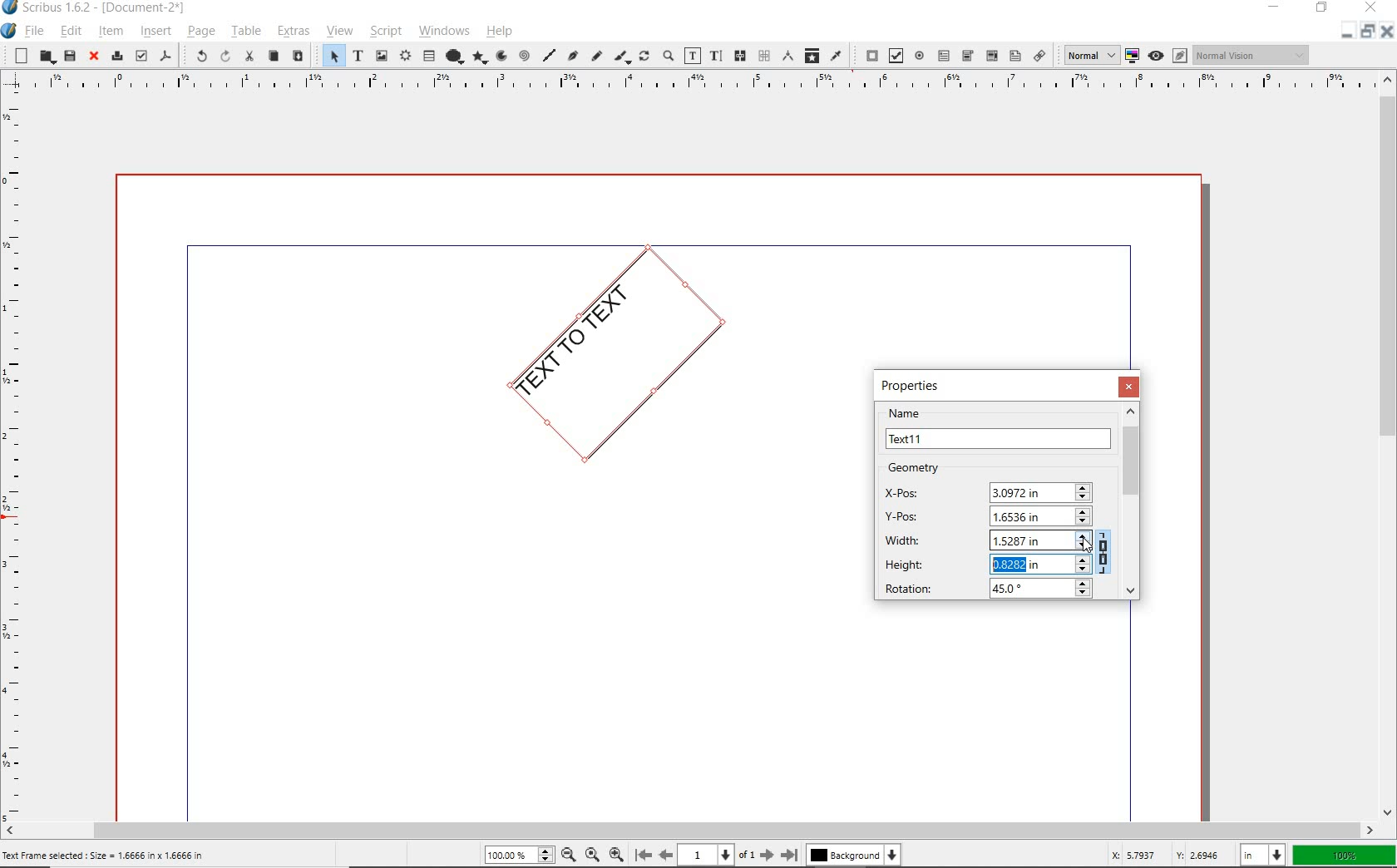 The image size is (1397, 868). Describe the element at coordinates (69, 57) in the screenshot. I see `save` at that location.